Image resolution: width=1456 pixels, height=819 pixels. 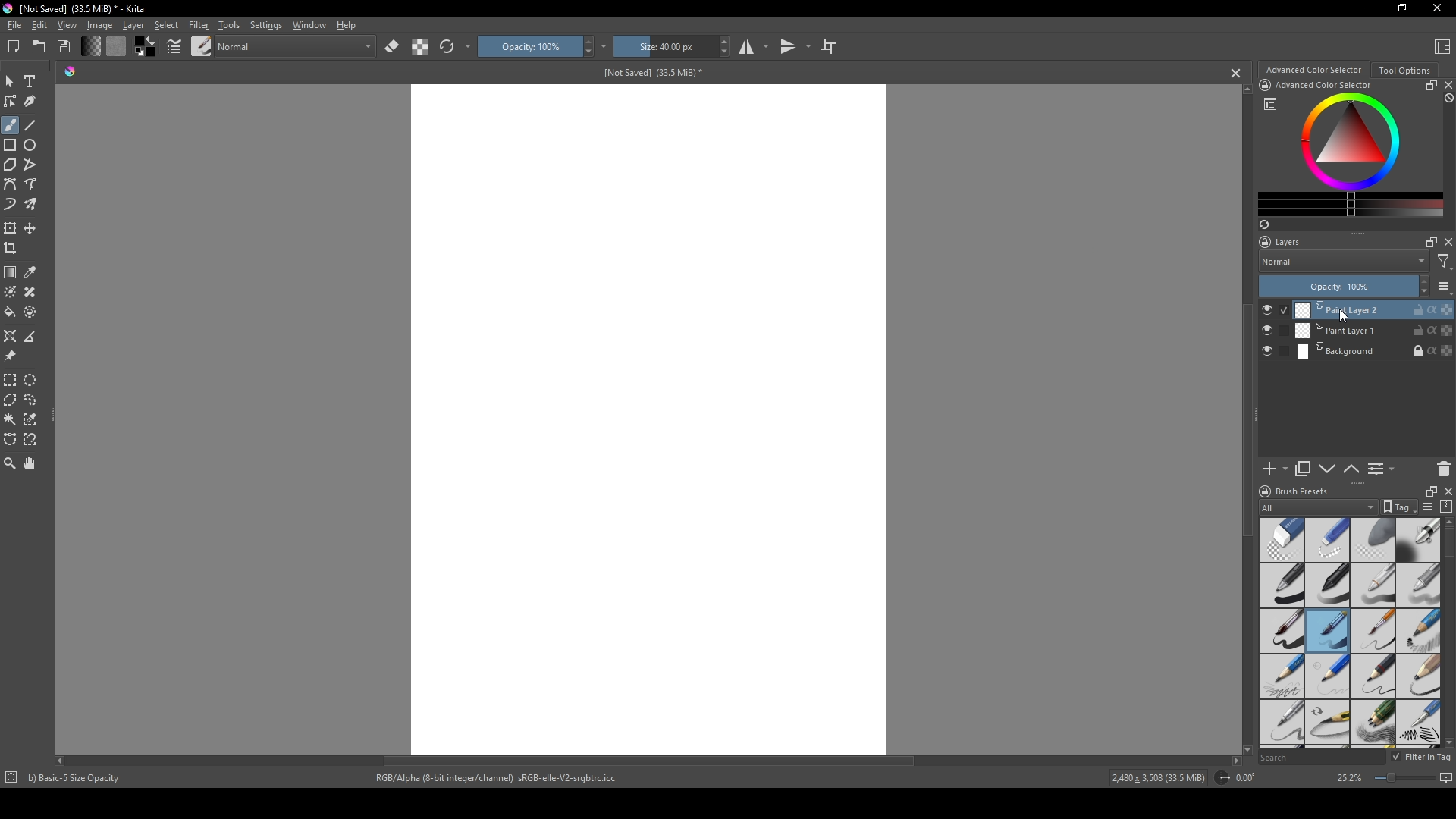 What do you see at coordinates (1373, 585) in the screenshot?
I see `white pen` at bounding box center [1373, 585].